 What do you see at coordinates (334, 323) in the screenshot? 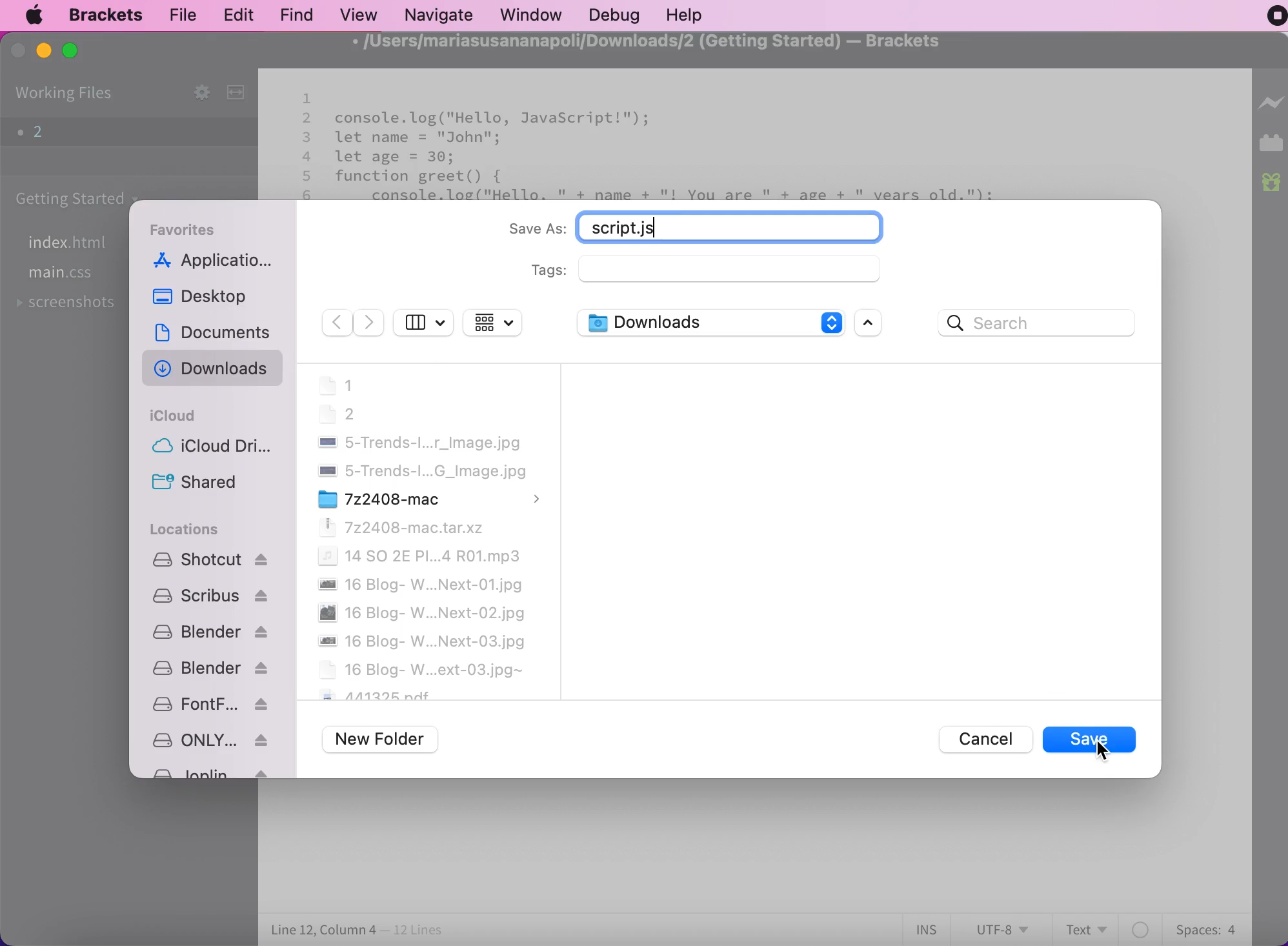
I see `back` at bounding box center [334, 323].